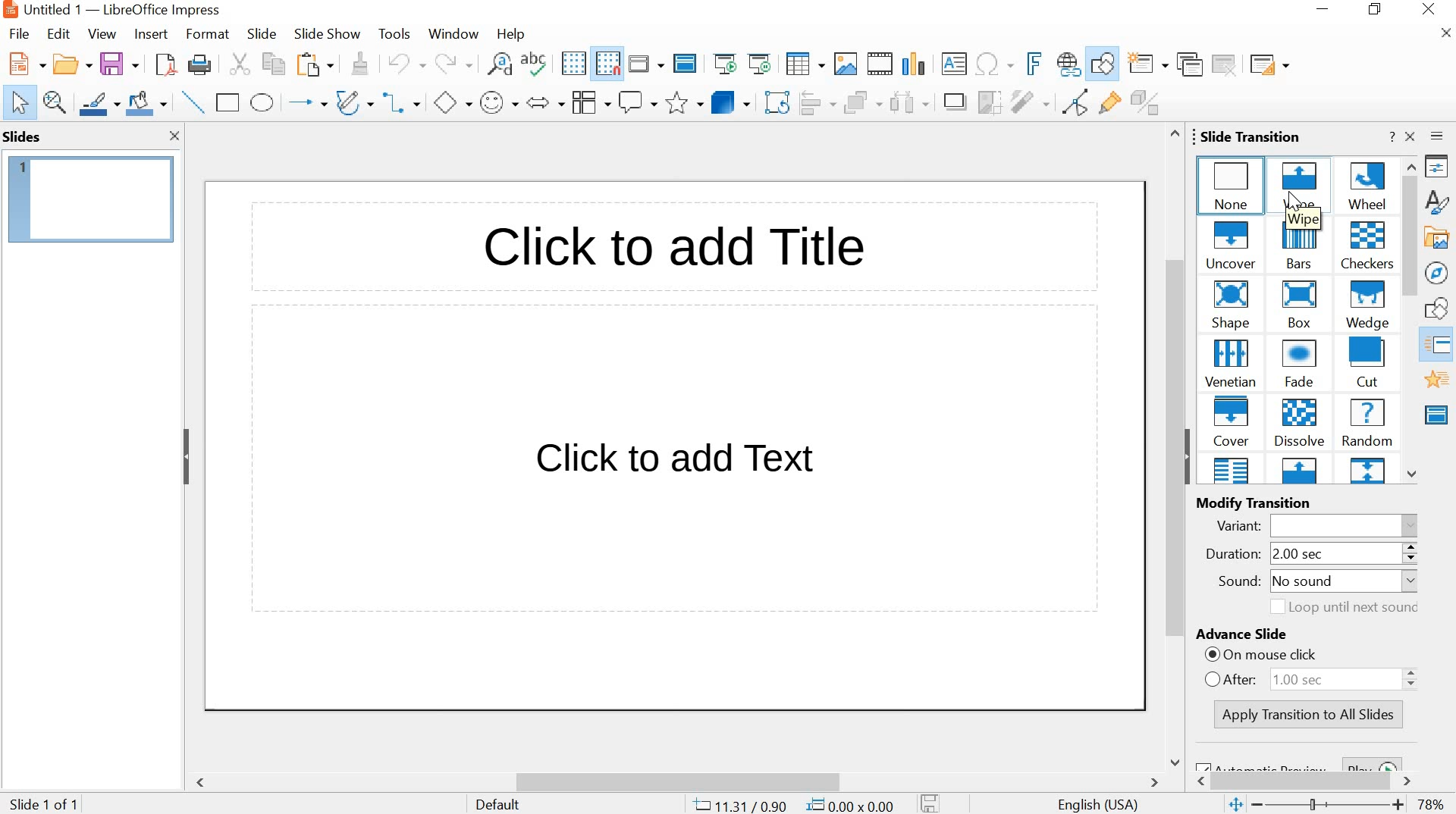 Image resolution: width=1456 pixels, height=814 pixels. I want to click on Display views, so click(647, 62).